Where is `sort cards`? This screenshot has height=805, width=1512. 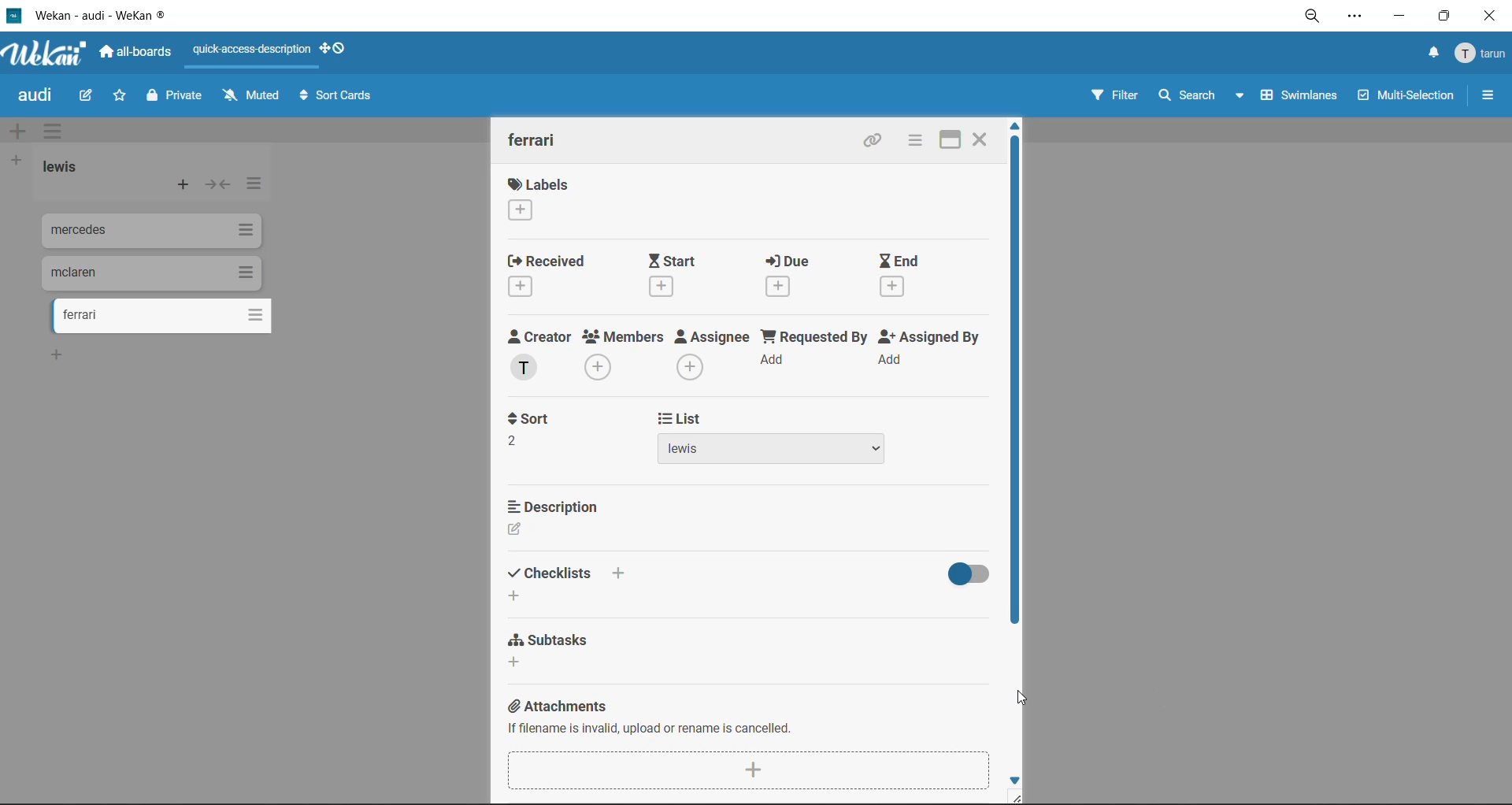 sort cards is located at coordinates (336, 98).